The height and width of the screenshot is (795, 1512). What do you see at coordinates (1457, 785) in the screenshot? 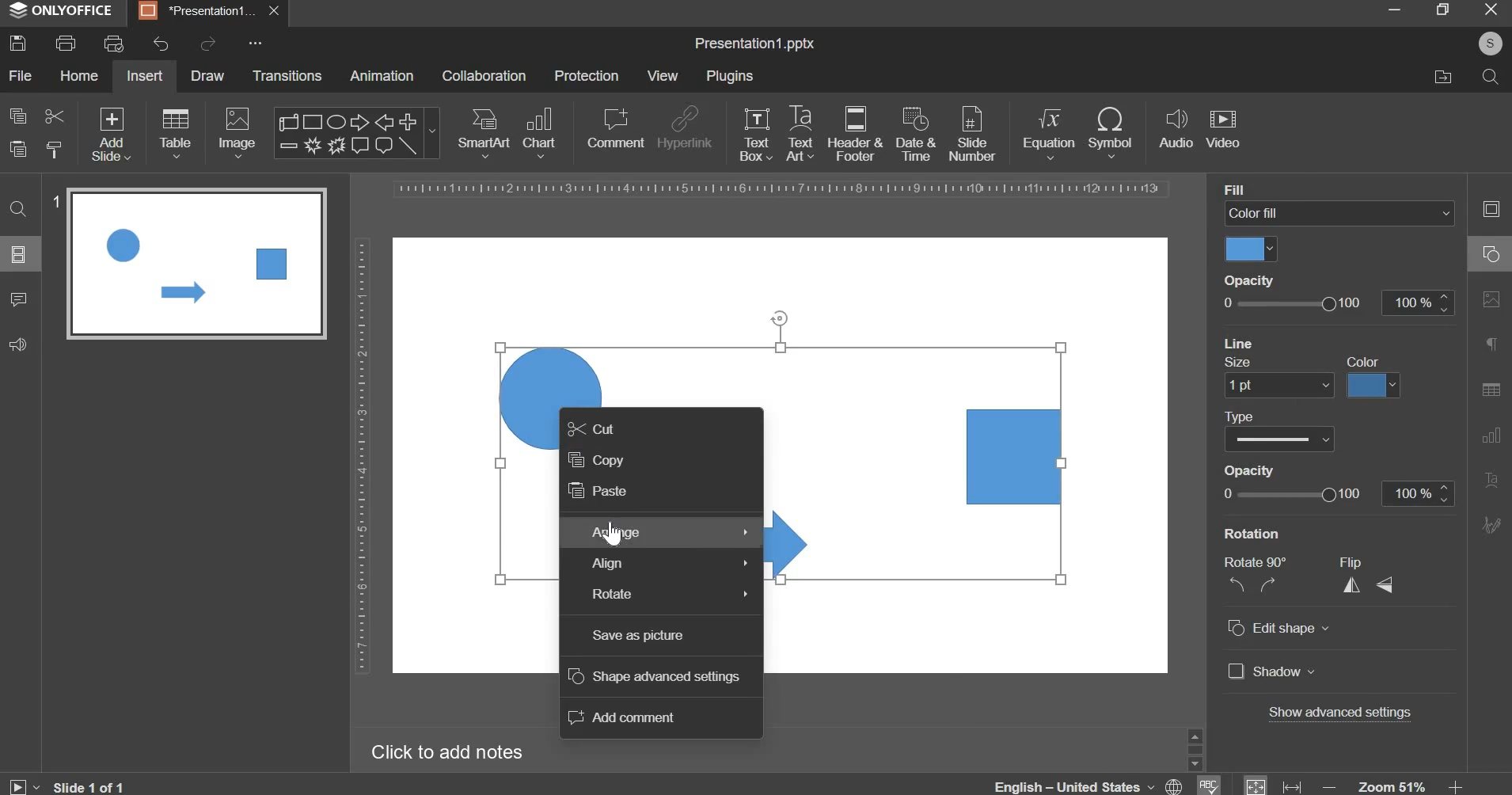
I see `increase zoom` at bounding box center [1457, 785].